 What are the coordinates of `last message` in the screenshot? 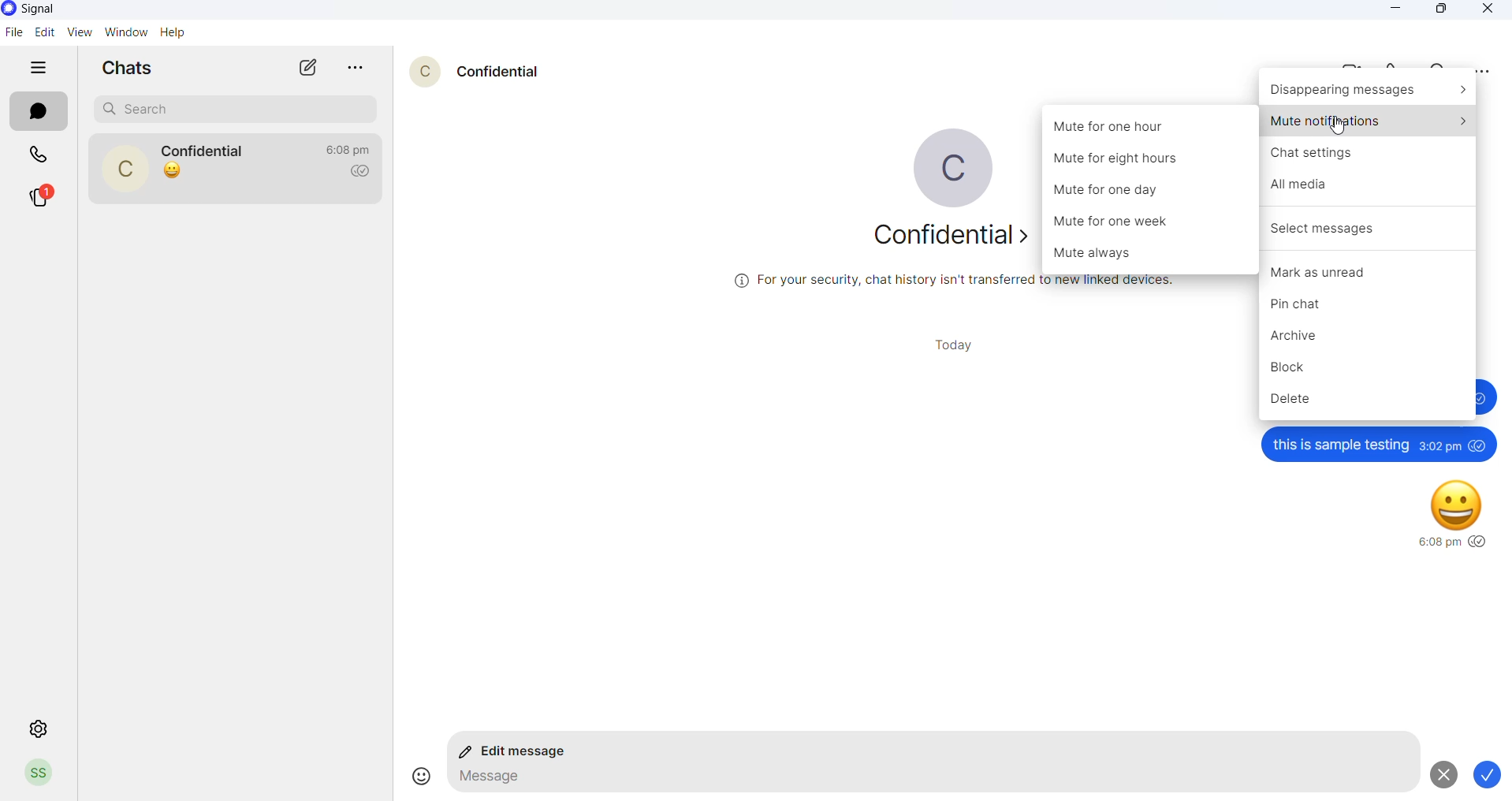 It's located at (173, 172).